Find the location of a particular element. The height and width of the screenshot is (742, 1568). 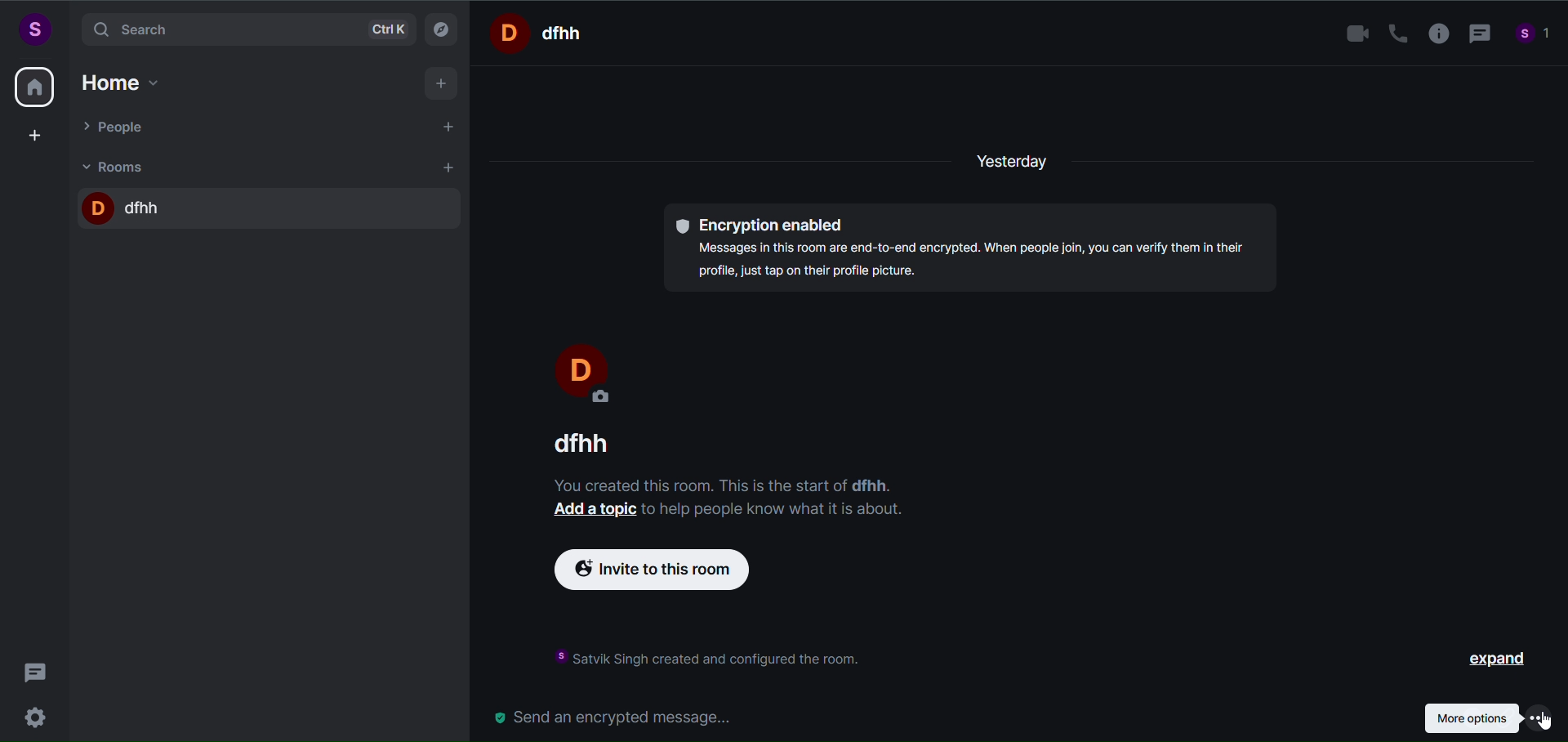

room name is located at coordinates (542, 32).